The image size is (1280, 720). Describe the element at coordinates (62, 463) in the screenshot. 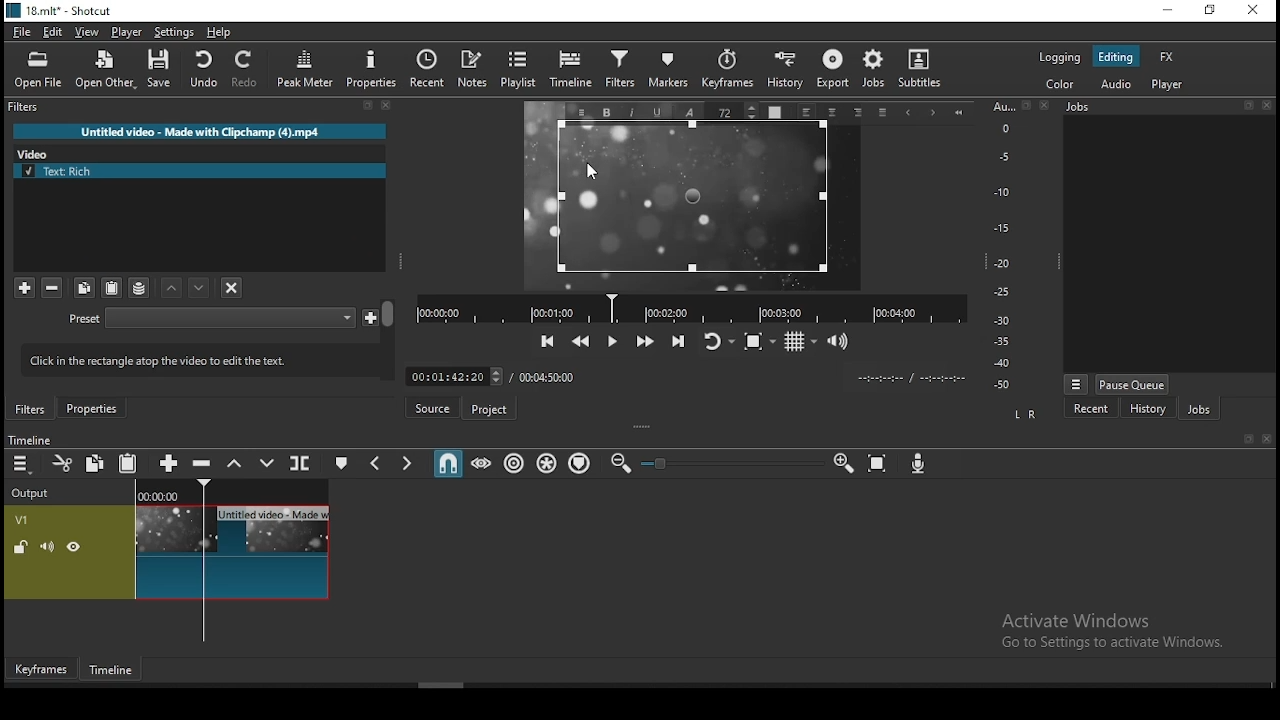

I see `cut` at that location.